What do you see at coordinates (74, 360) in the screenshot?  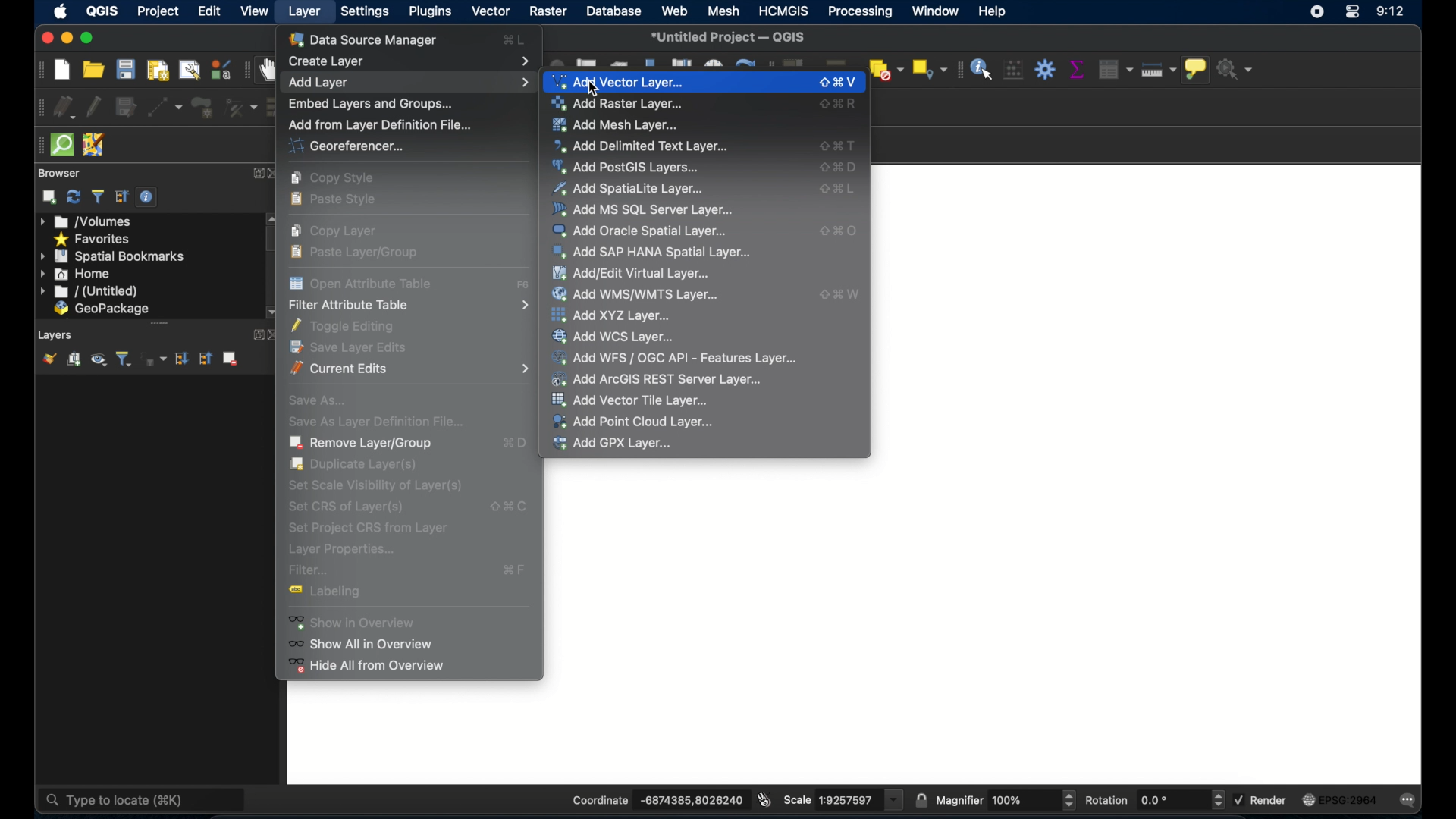 I see `add group` at bounding box center [74, 360].